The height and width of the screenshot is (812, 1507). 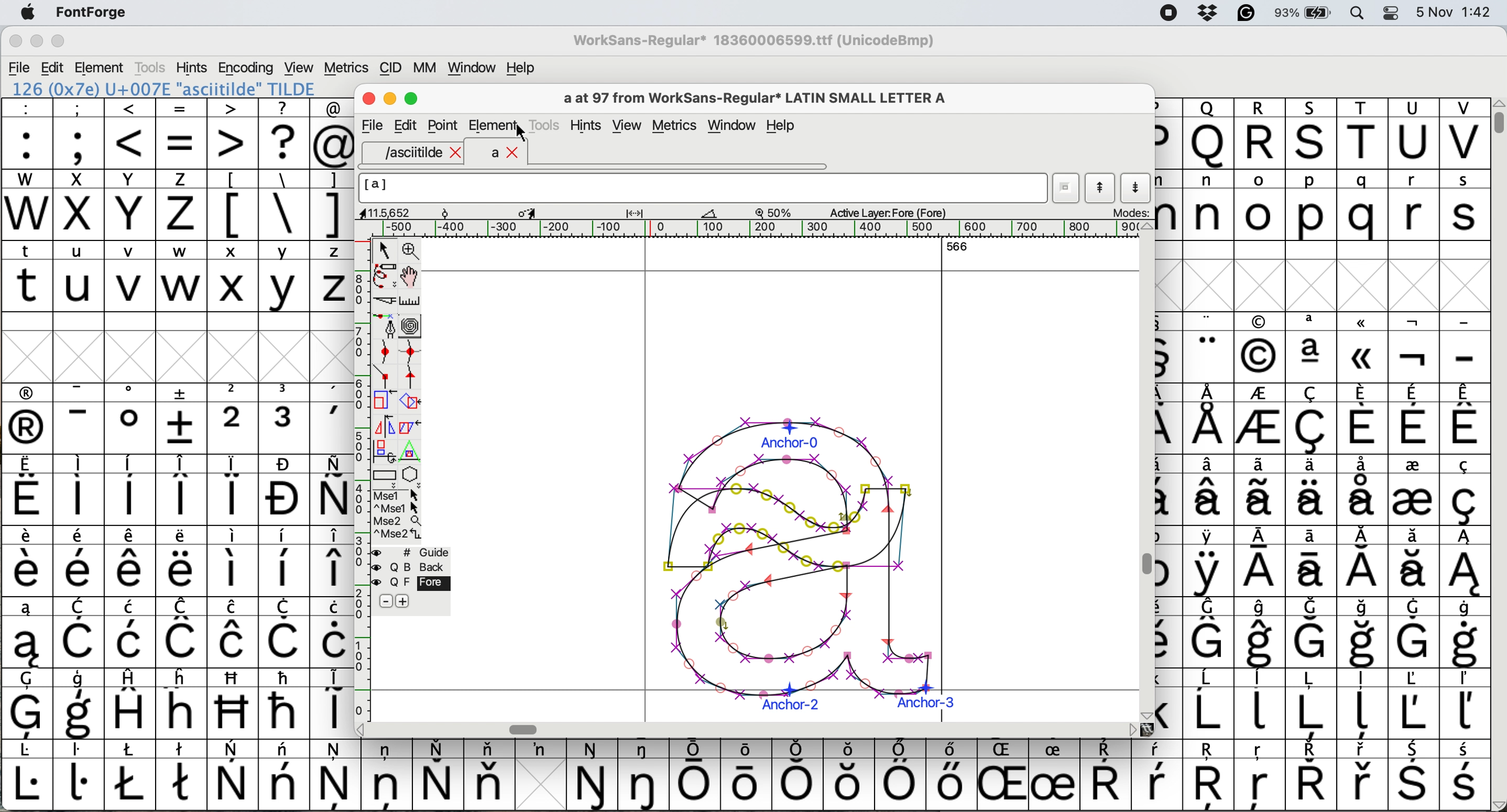 I want to click on Edit, so click(x=405, y=125).